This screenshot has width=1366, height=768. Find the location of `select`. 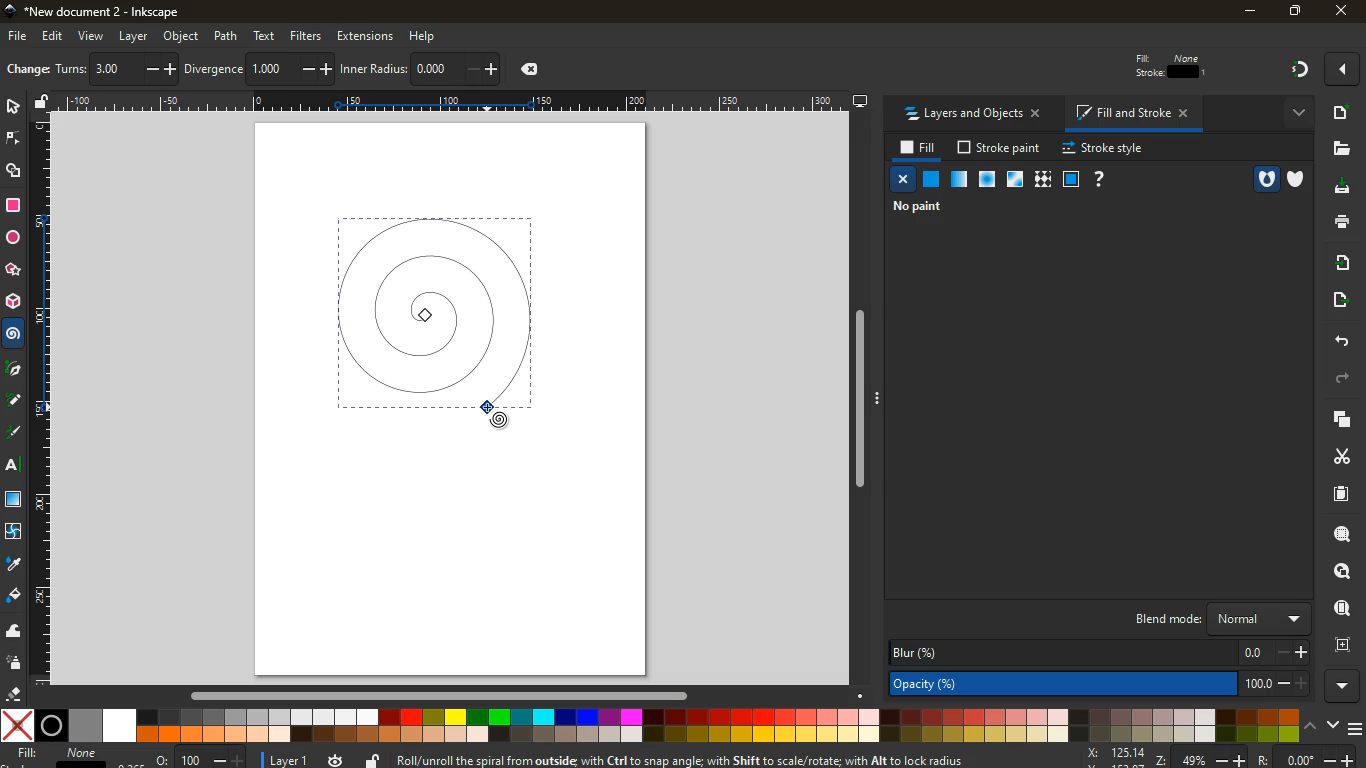

select is located at coordinates (13, 106).